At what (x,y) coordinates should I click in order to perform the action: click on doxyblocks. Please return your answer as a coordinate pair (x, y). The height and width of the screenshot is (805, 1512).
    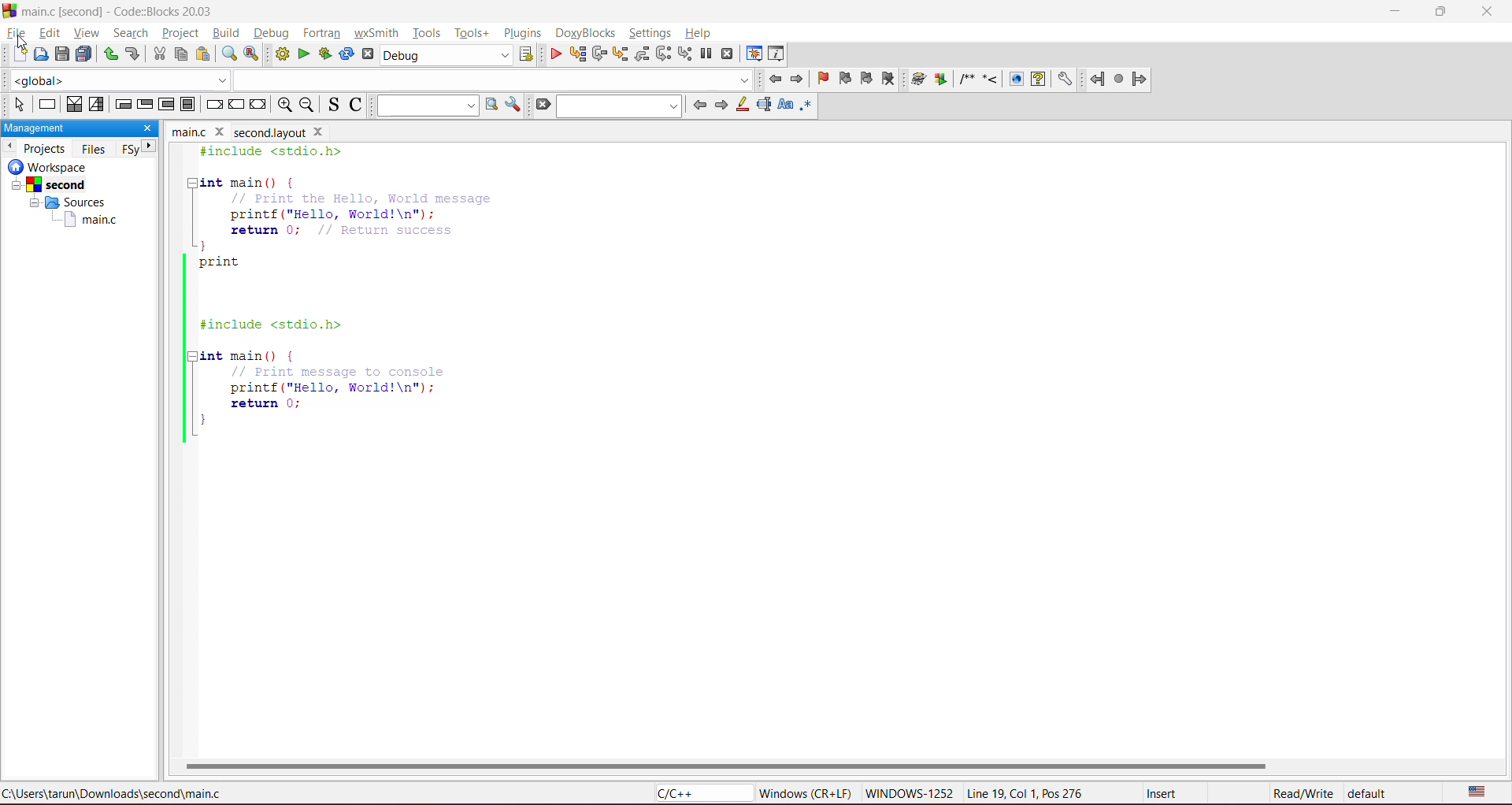
    Looking at the image, I should click on (589, 32).